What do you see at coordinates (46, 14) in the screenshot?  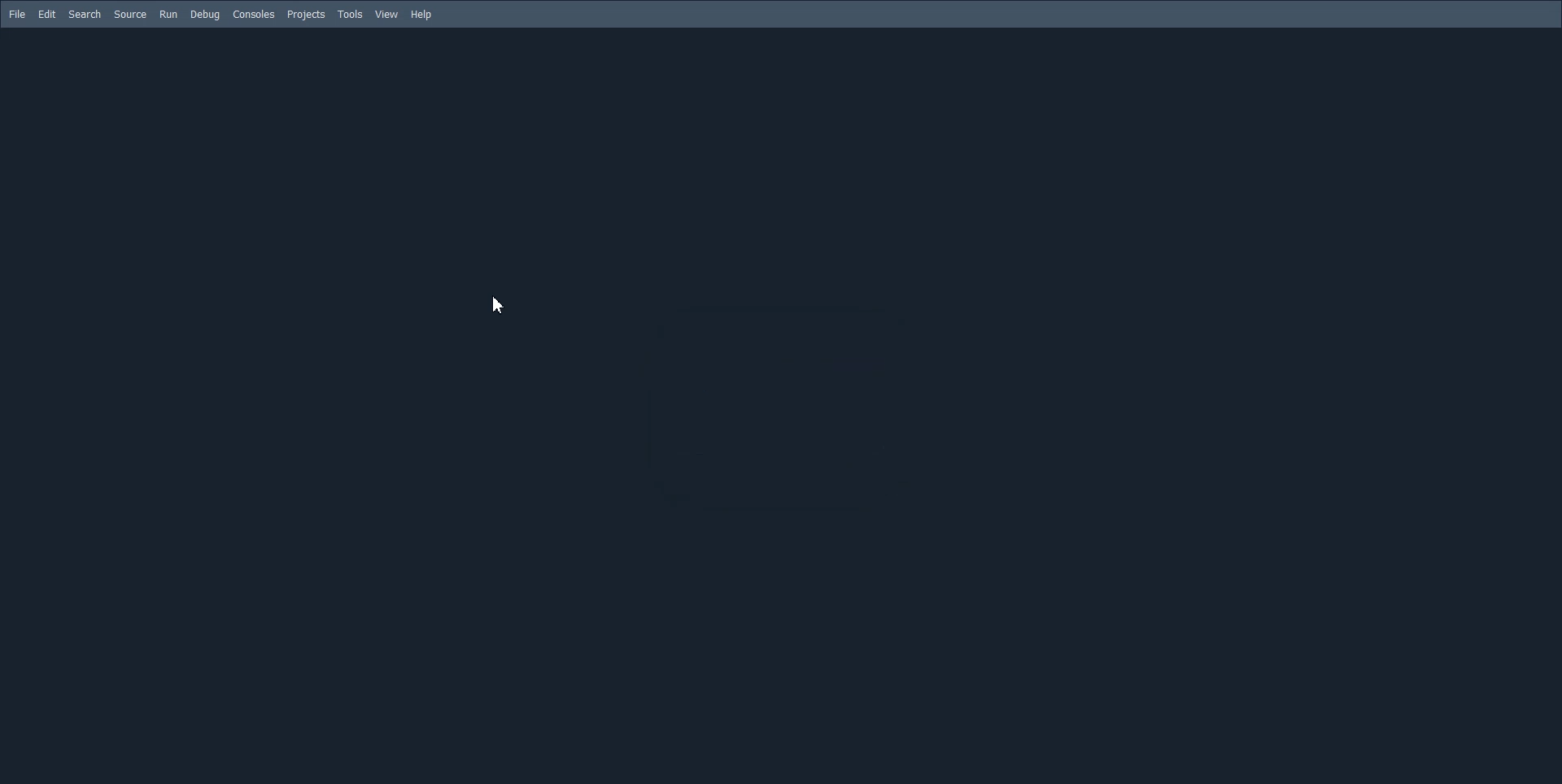 I see `Edit` at bounding box center [46, 14].